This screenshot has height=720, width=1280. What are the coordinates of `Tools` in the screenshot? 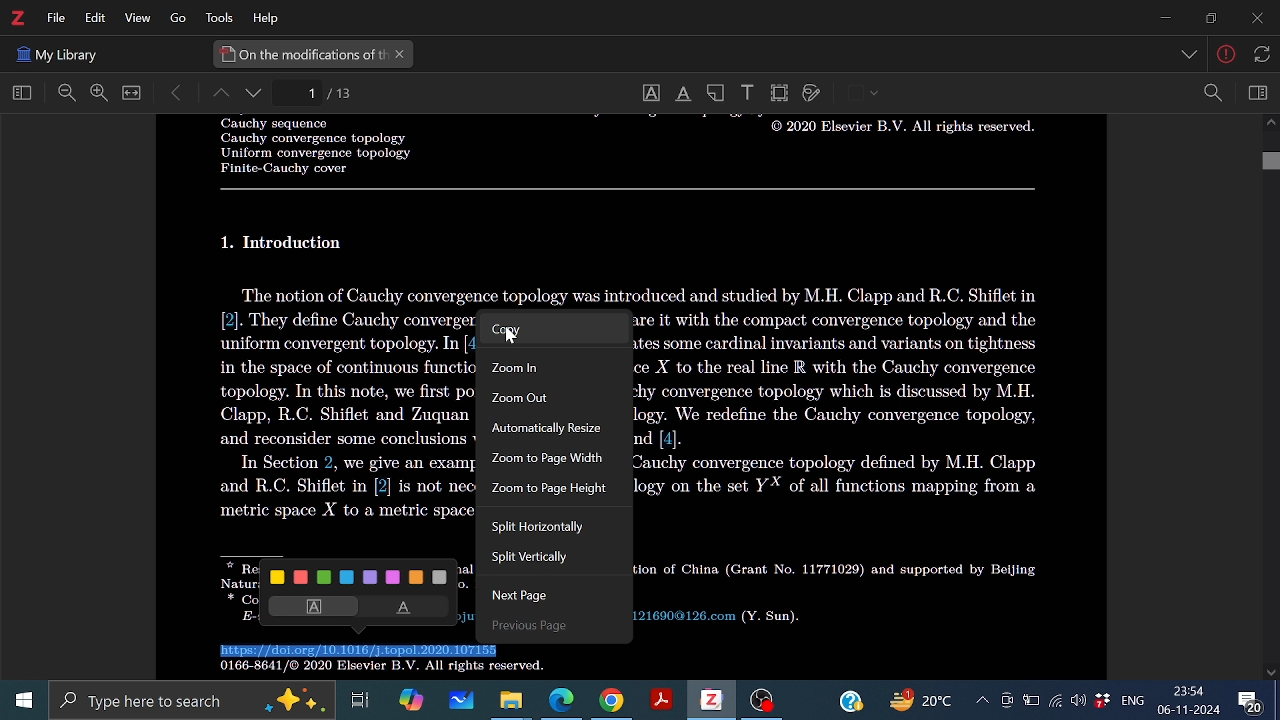 It's located at (216, 18).